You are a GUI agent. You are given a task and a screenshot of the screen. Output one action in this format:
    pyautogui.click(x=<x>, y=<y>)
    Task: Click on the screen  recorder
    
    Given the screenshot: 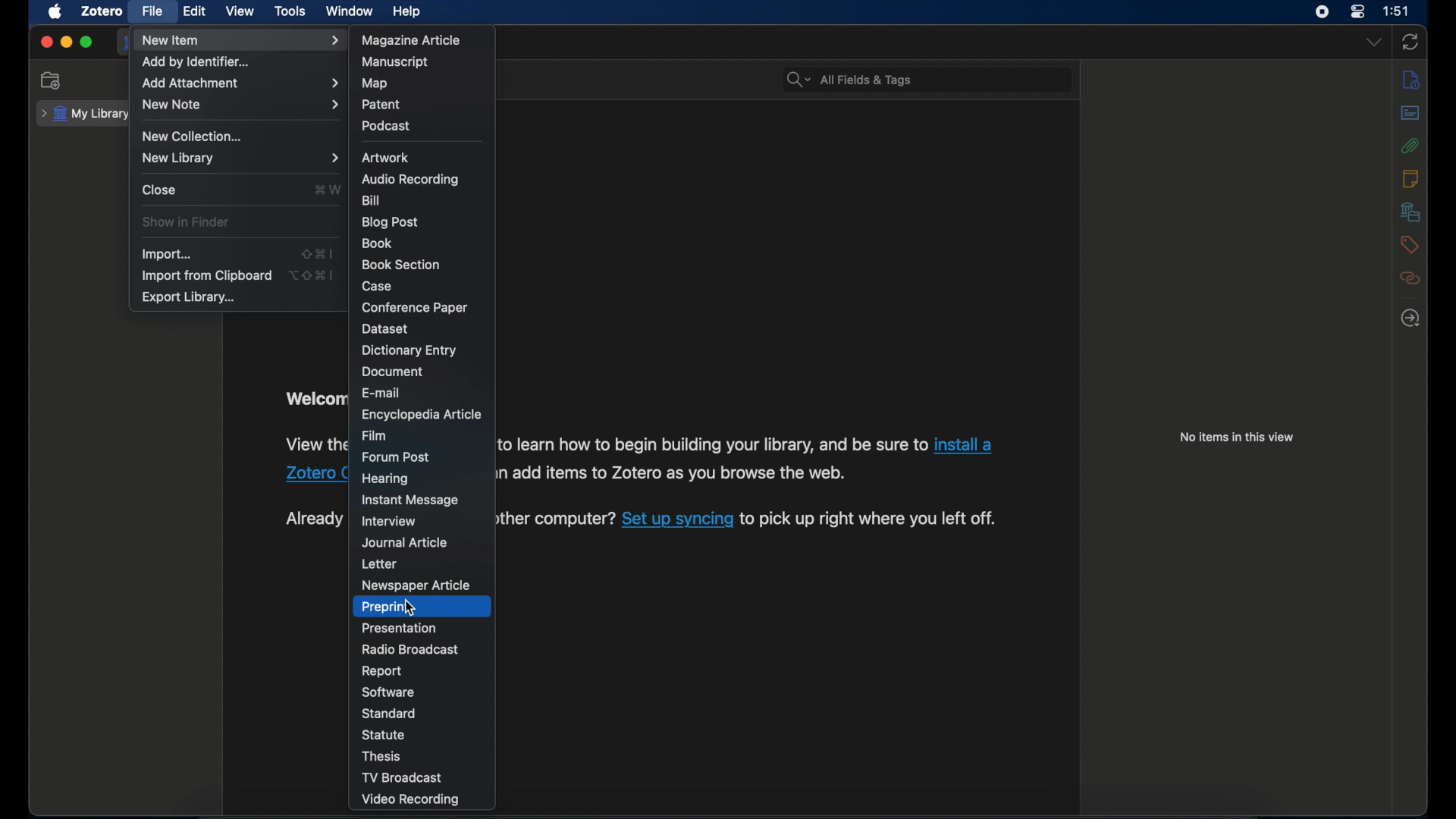 What is the action you would take?
    pyautogui.click(x=1321, y=12)
    